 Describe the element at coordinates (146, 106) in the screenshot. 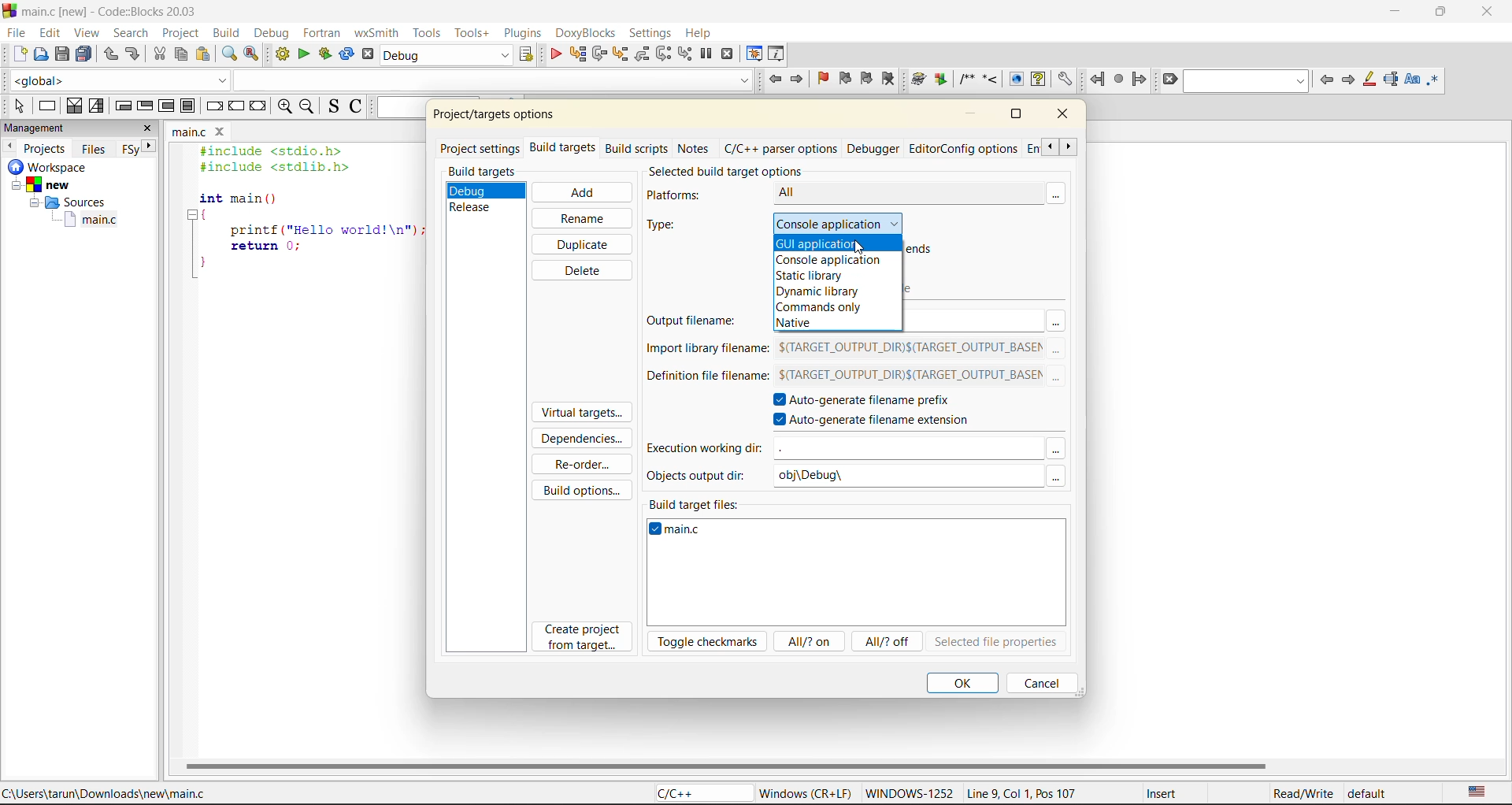

I see `exit condition loop` at that location.